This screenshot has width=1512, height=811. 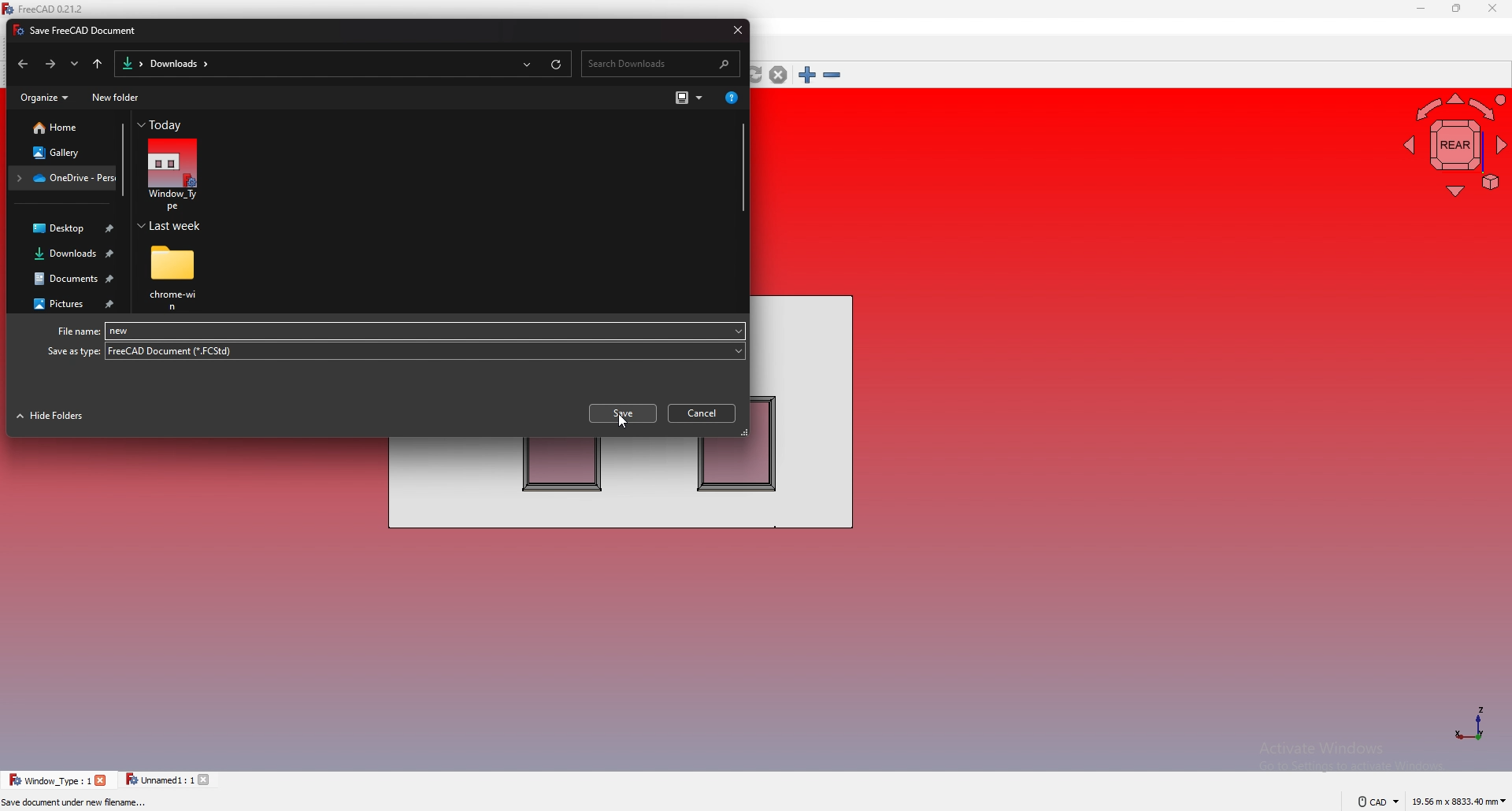 I want to click on get help, so click(x=731, y=96).